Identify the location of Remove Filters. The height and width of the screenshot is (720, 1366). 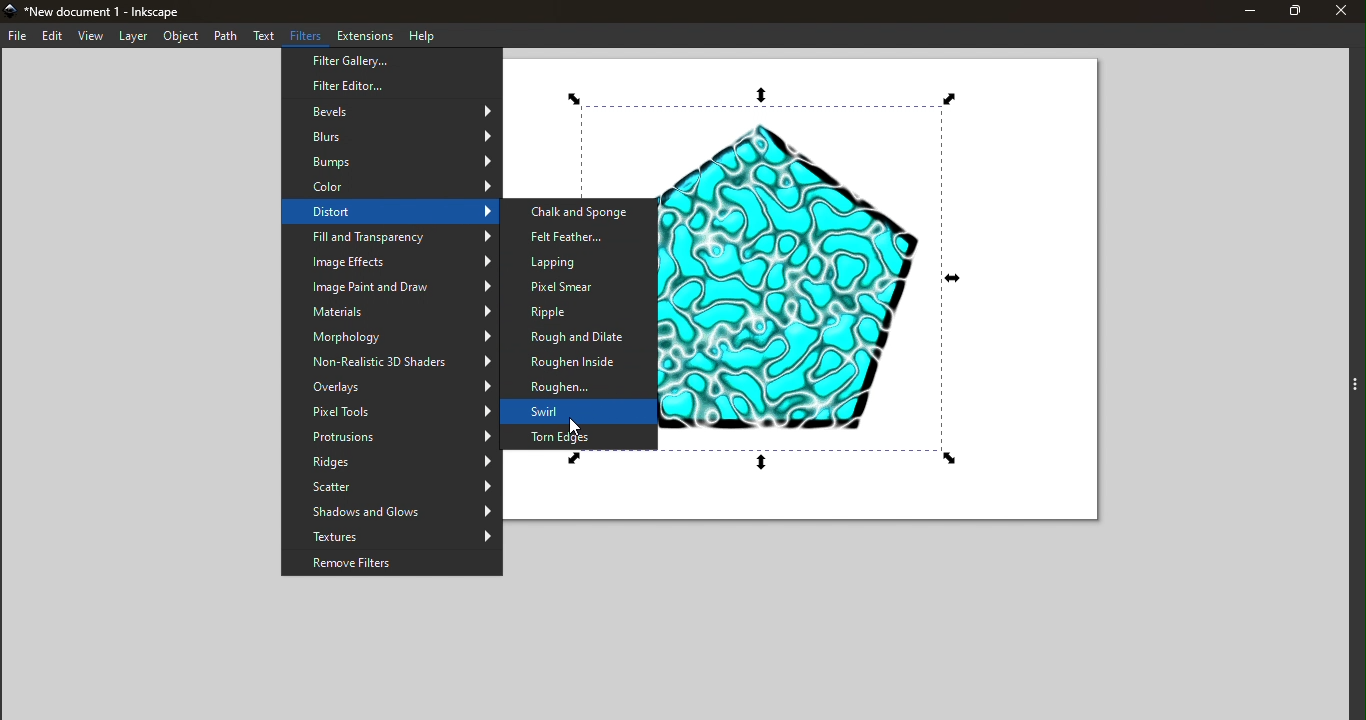
(393, 565).